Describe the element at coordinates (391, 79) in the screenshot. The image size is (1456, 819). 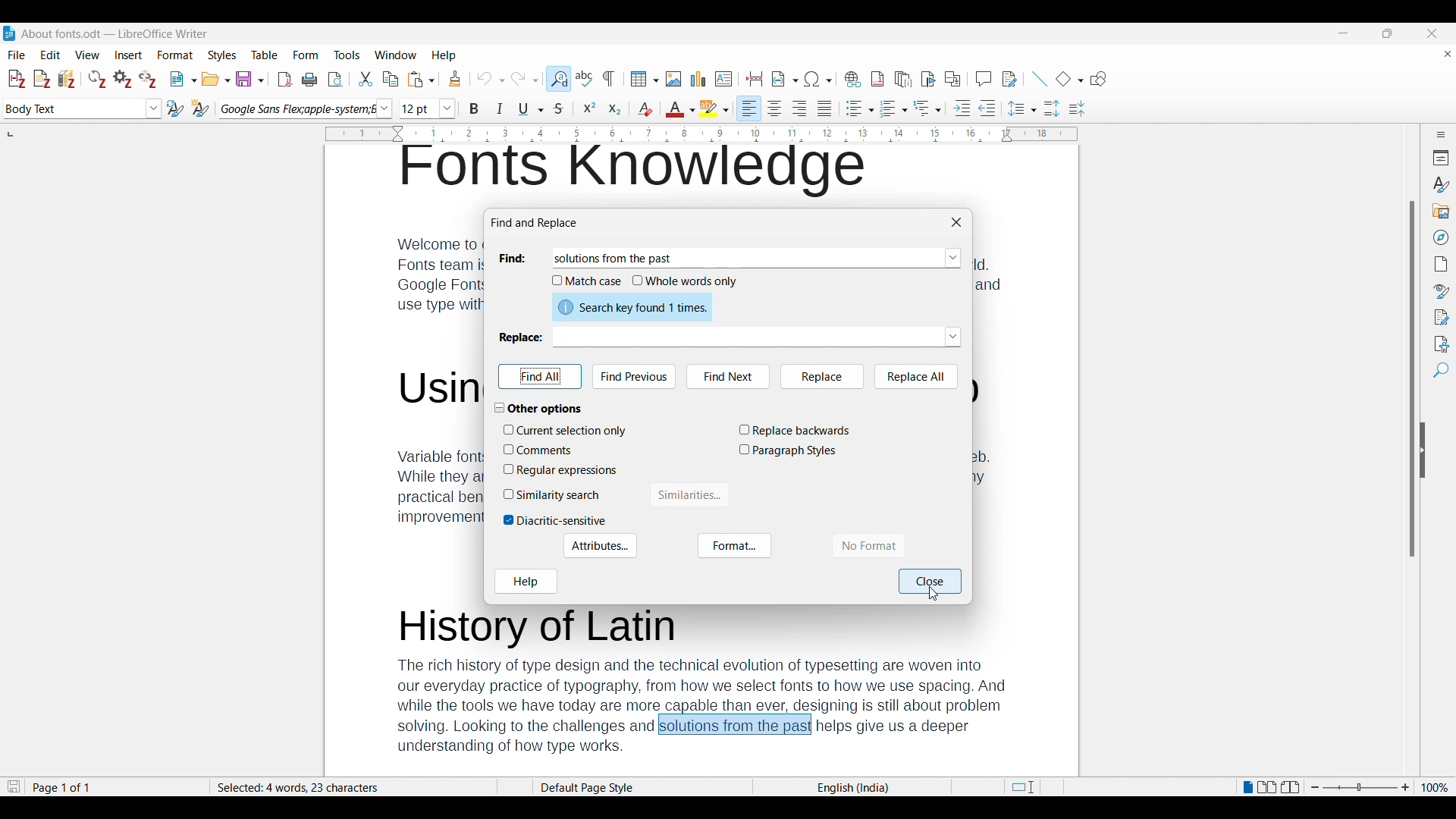
I see `Copy` at that location.